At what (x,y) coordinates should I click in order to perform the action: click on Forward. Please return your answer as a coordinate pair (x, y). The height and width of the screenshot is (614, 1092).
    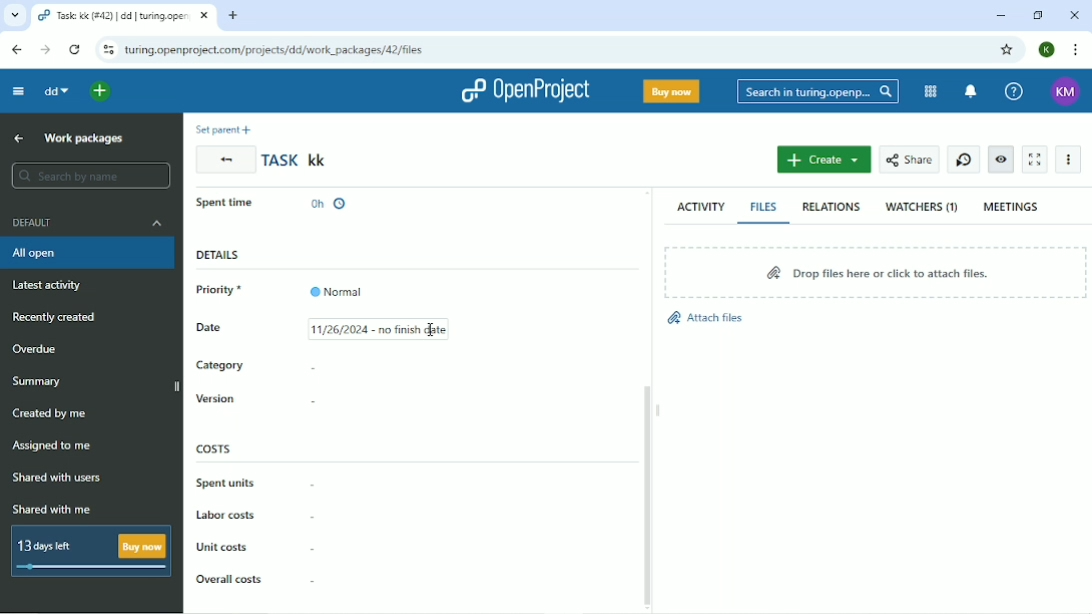
    Looking at the image, I should click on (46, 49).